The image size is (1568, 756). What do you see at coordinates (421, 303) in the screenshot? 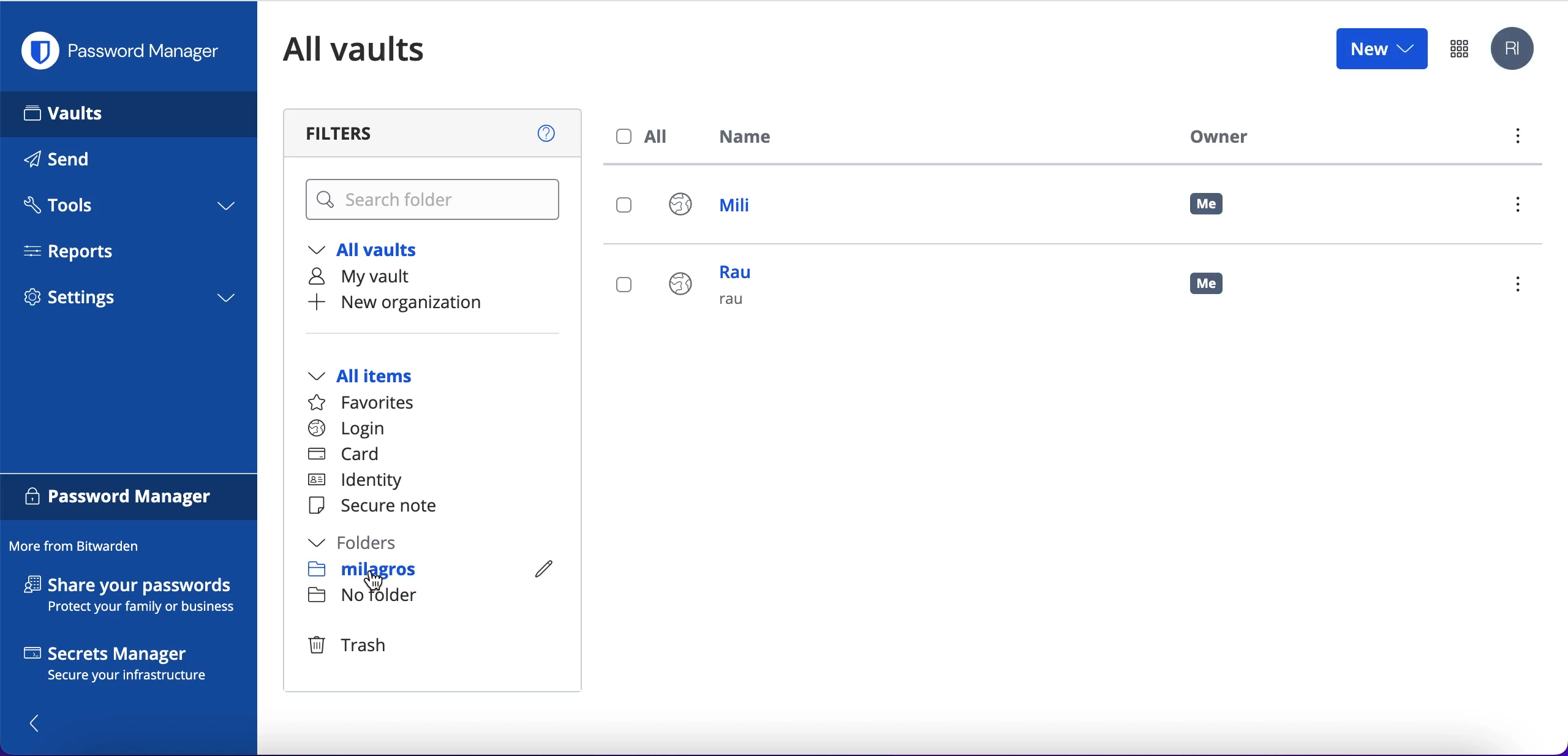
I see `new organization` at bounding box center [421, 303].